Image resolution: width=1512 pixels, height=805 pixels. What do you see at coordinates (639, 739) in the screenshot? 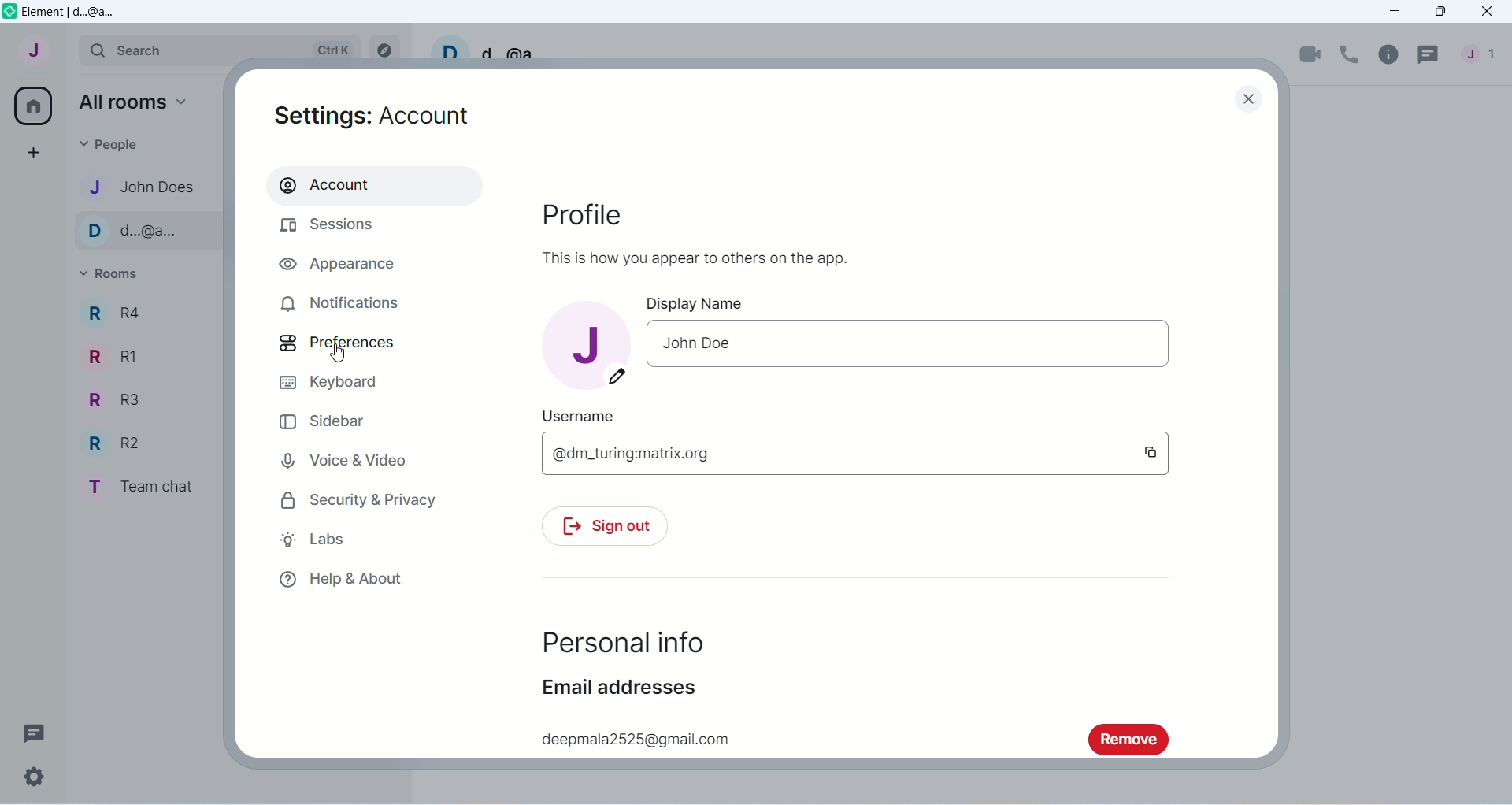
I see `deepmala2525@gmail.com` at bounding box center [639, 739].